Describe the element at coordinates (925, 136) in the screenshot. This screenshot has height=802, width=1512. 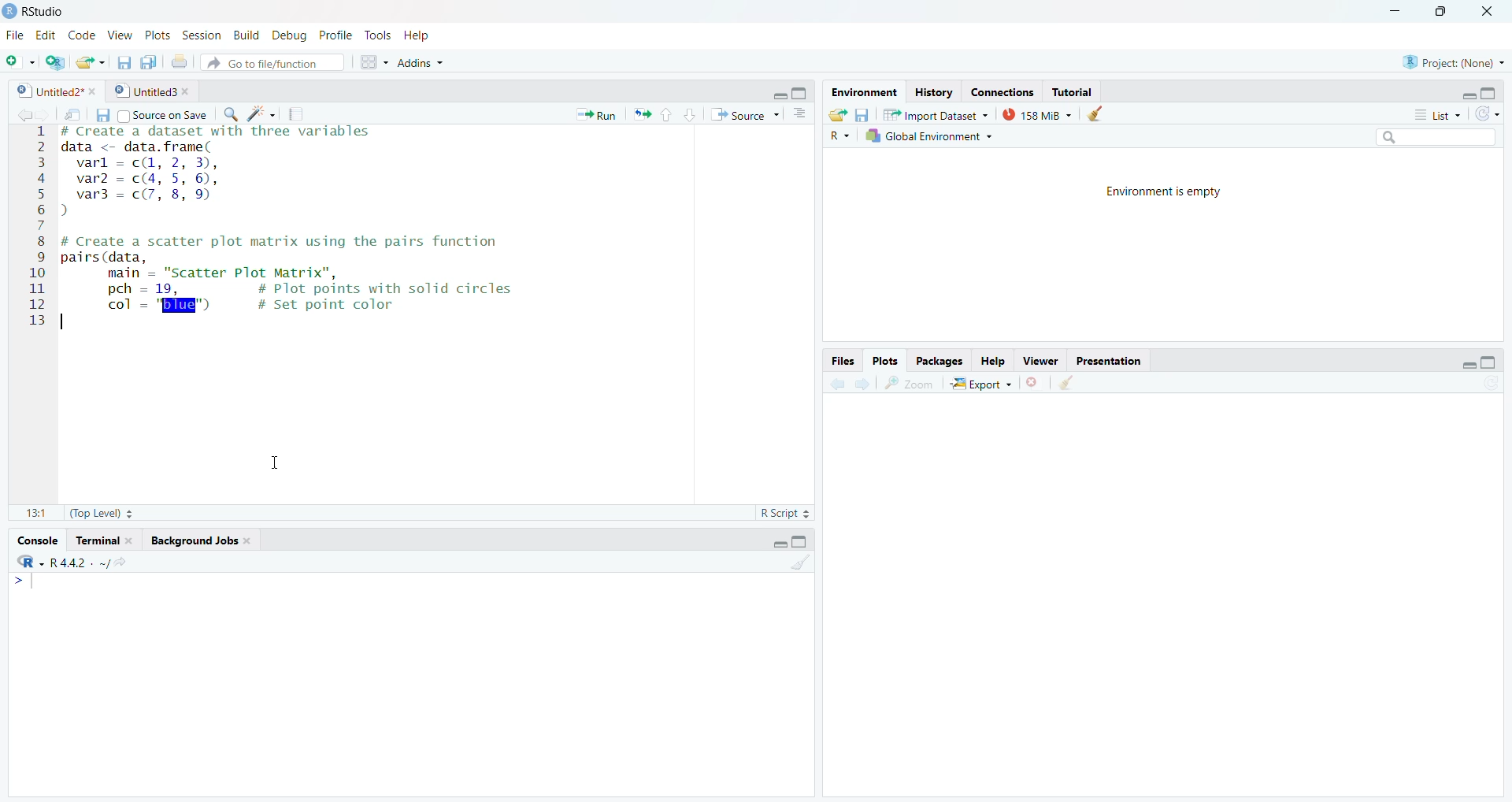
I see `b Global Environment -` at that location.